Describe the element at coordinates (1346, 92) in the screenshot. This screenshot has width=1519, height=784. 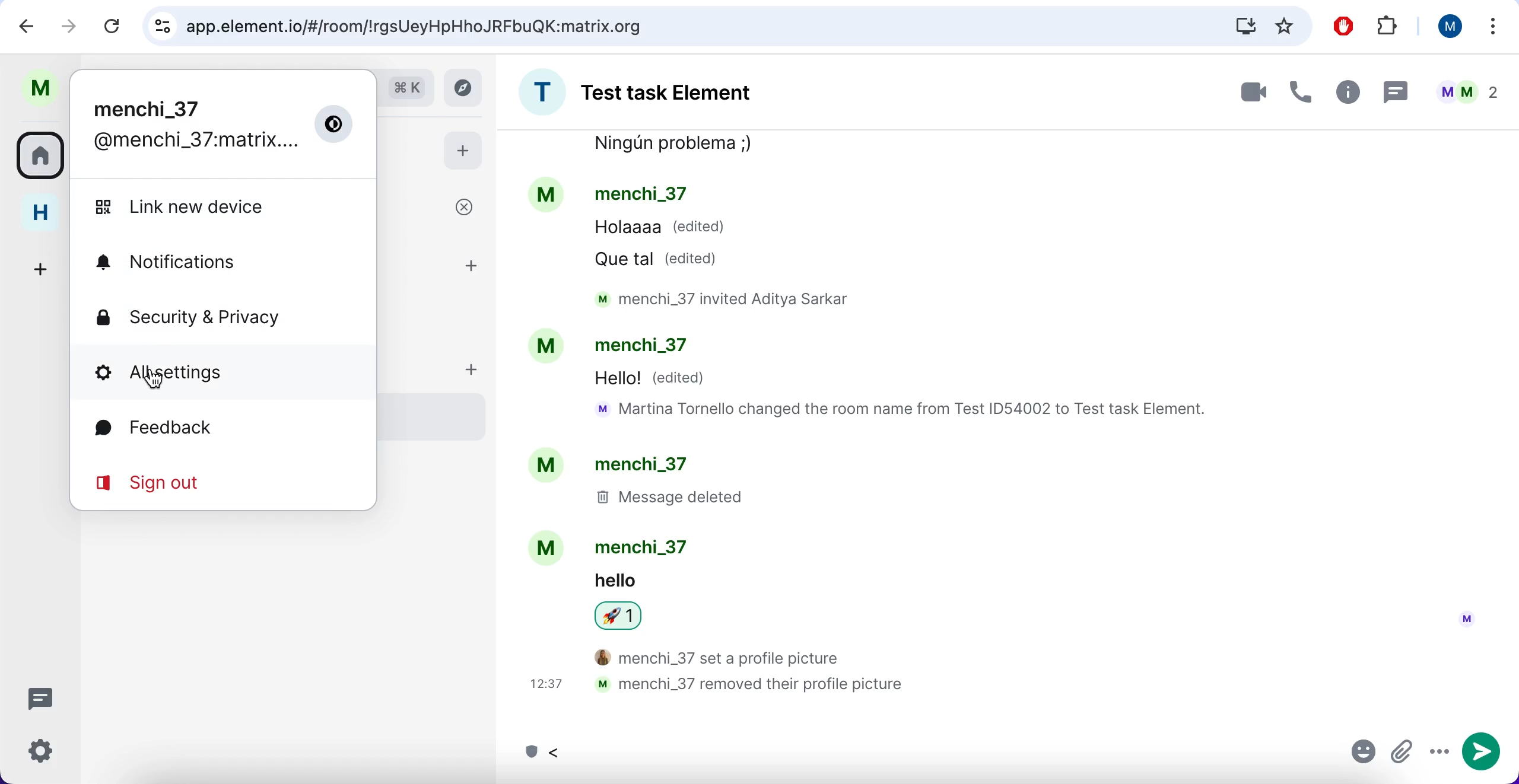
I see `room info` at that location.